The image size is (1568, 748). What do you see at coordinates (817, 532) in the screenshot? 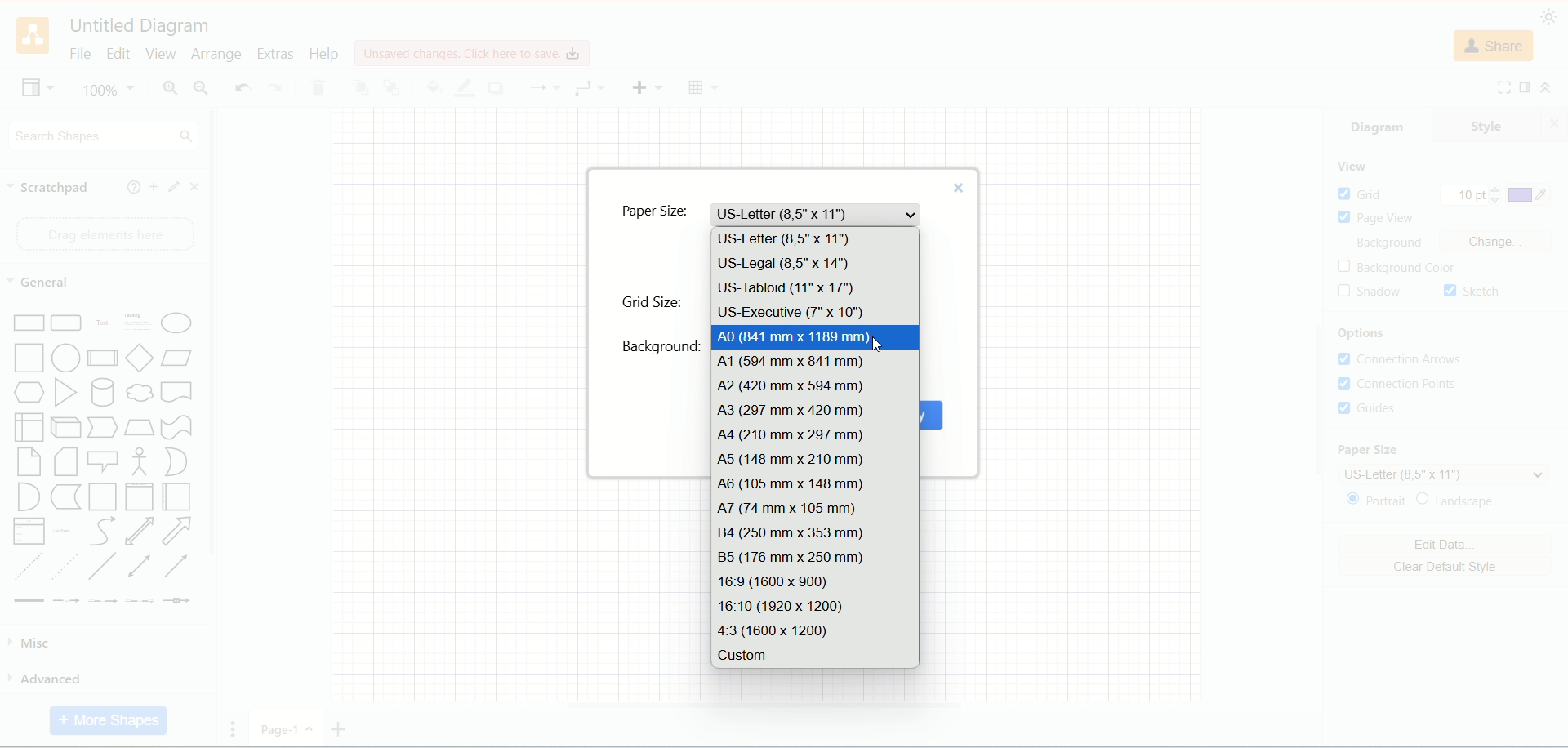
I see `B4` at bounding box center [817, 532].